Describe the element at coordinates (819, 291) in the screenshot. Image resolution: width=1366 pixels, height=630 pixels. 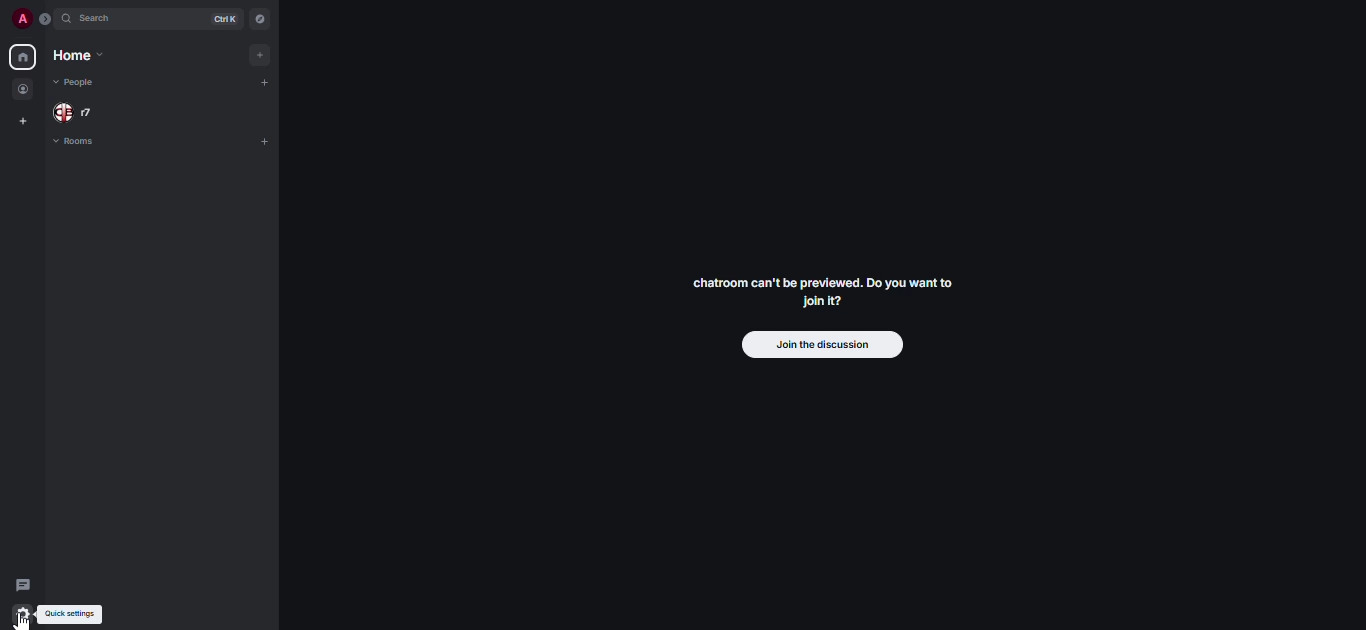
I see `chatroom can't be previewed. Join it?` at that location.